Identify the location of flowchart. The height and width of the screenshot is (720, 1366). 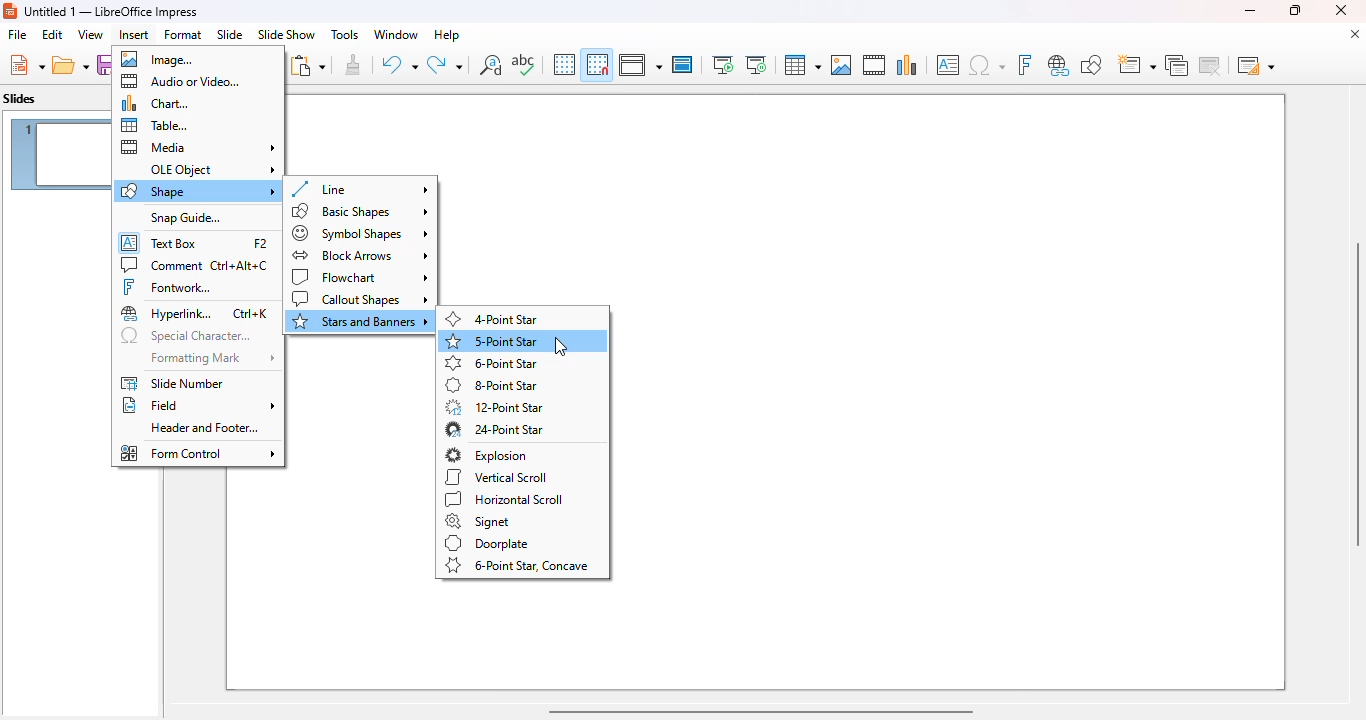
(360, 277).